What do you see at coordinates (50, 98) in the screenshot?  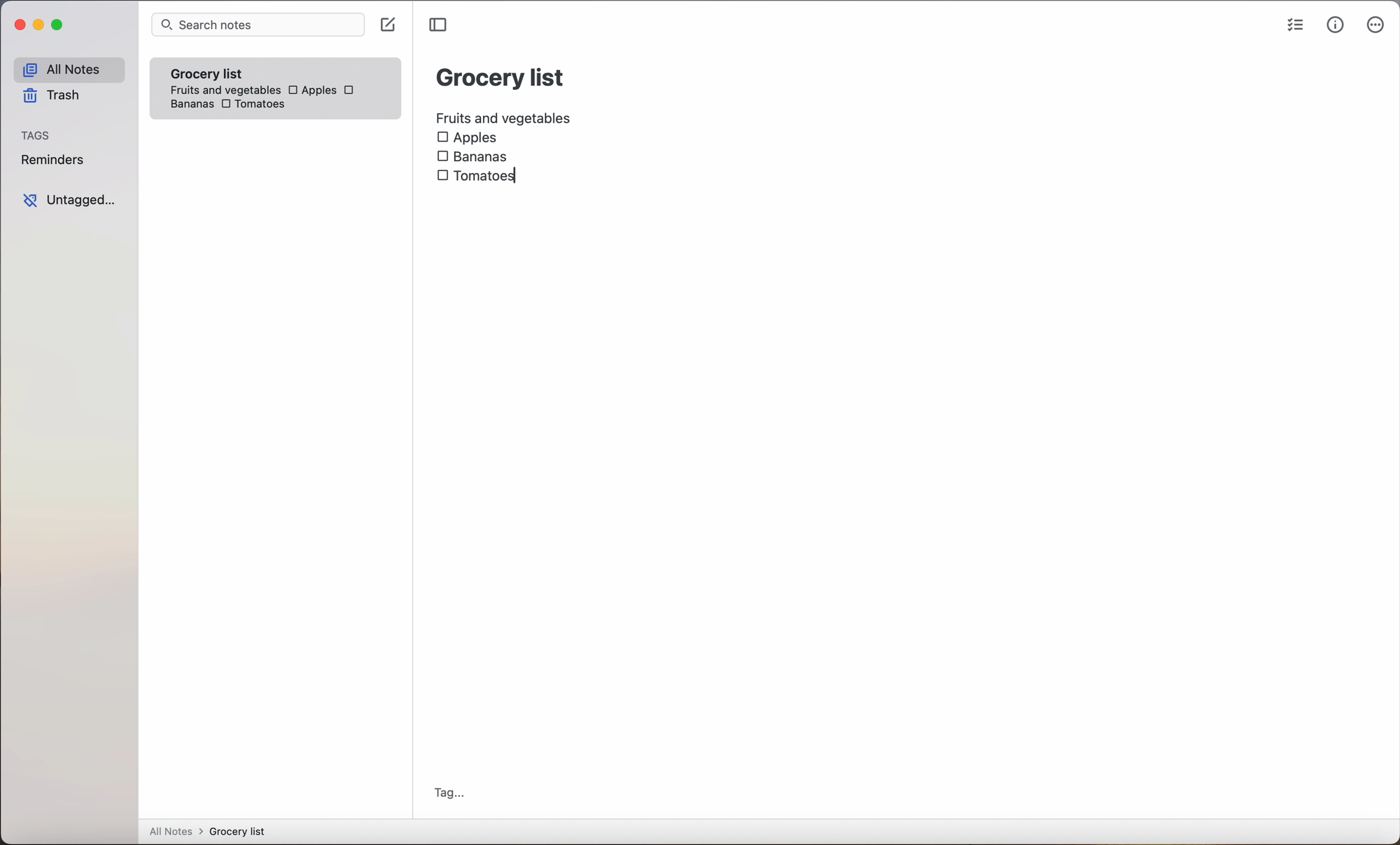 I see `trash` at bounding box center [50, 98].